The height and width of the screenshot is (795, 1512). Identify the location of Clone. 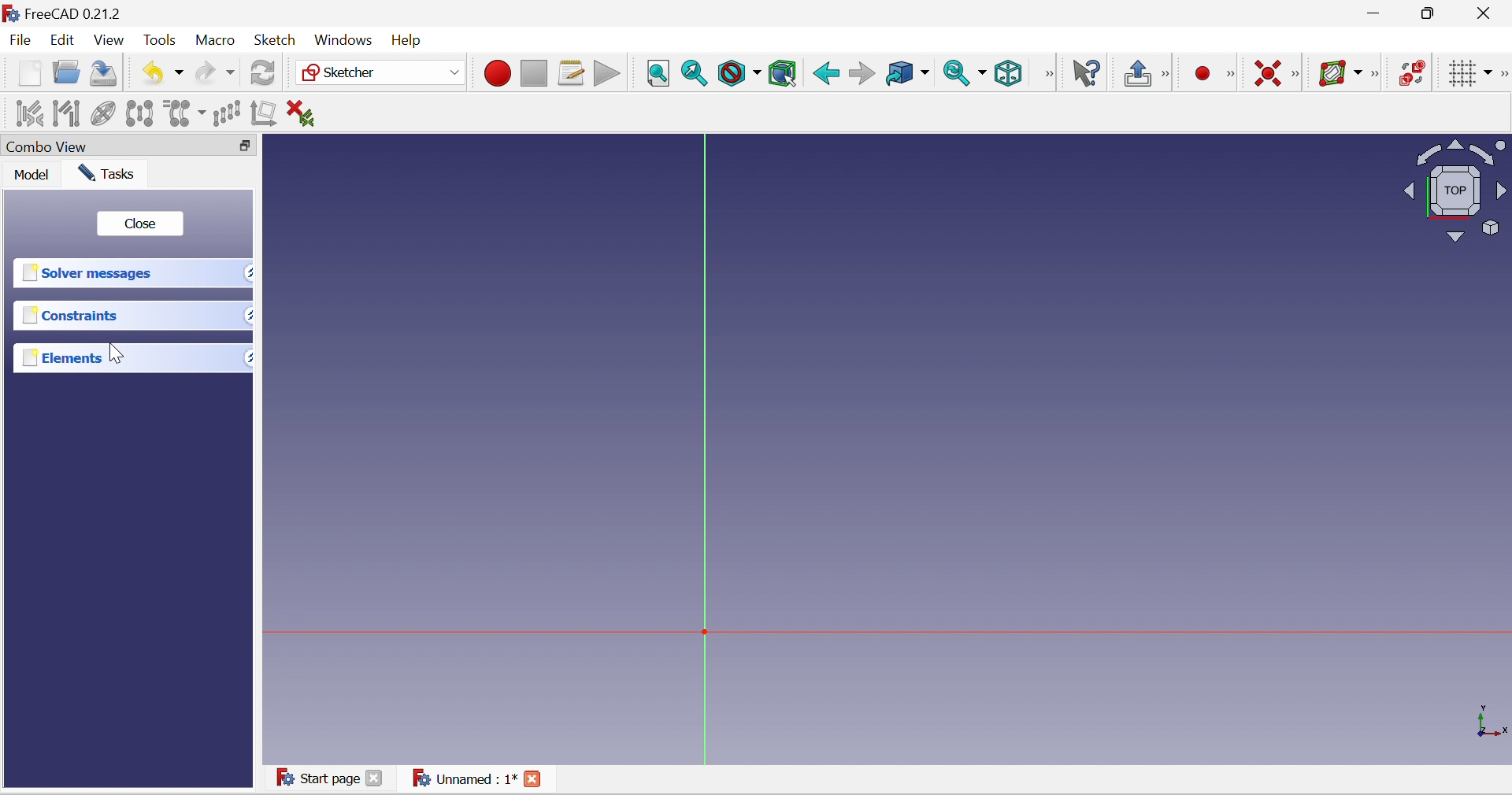
(182, 115).